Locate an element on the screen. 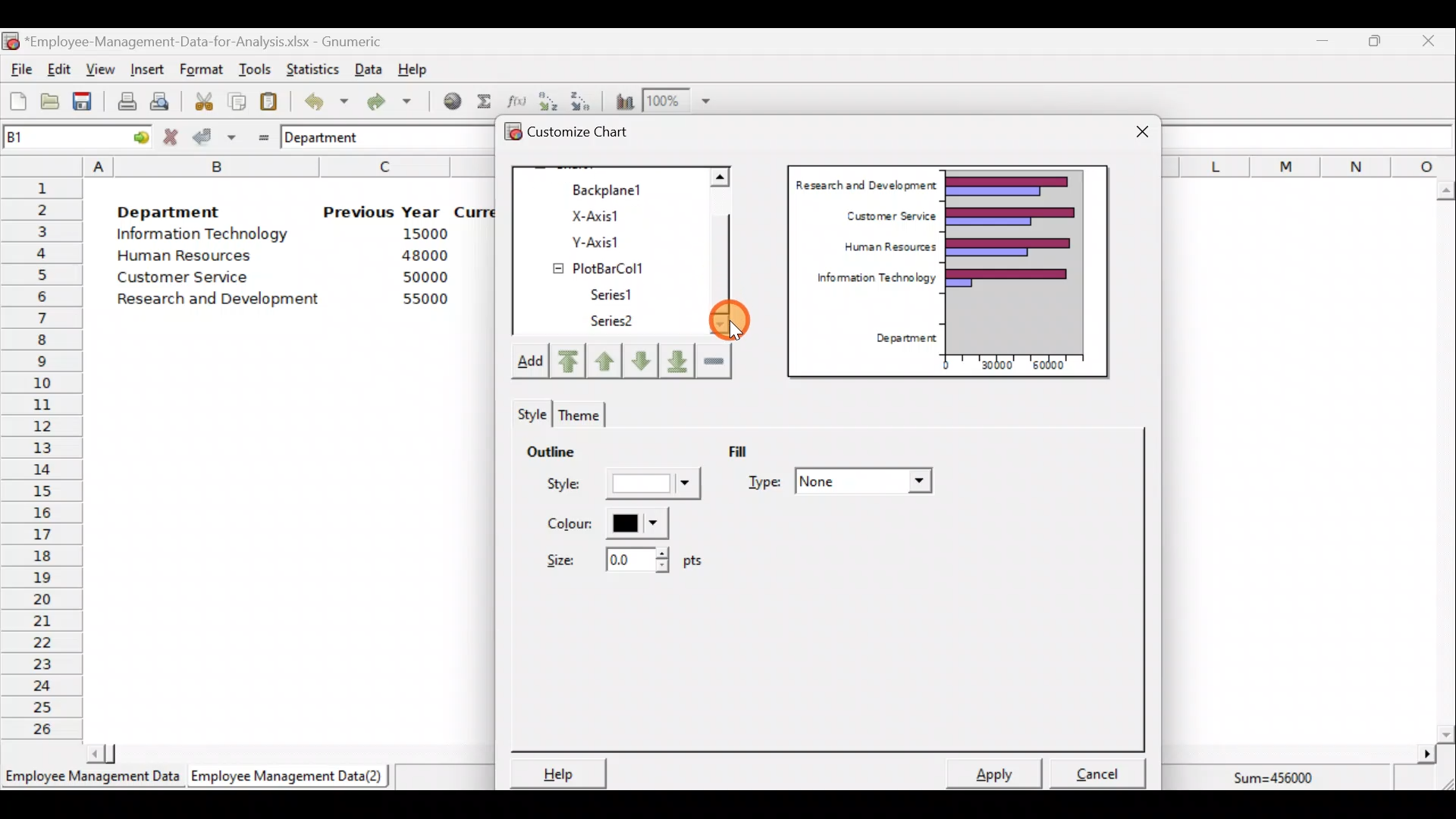 Image resolution: width=1456 pixels, height=819 pixels. Close is located at coordinates (1427, 43).